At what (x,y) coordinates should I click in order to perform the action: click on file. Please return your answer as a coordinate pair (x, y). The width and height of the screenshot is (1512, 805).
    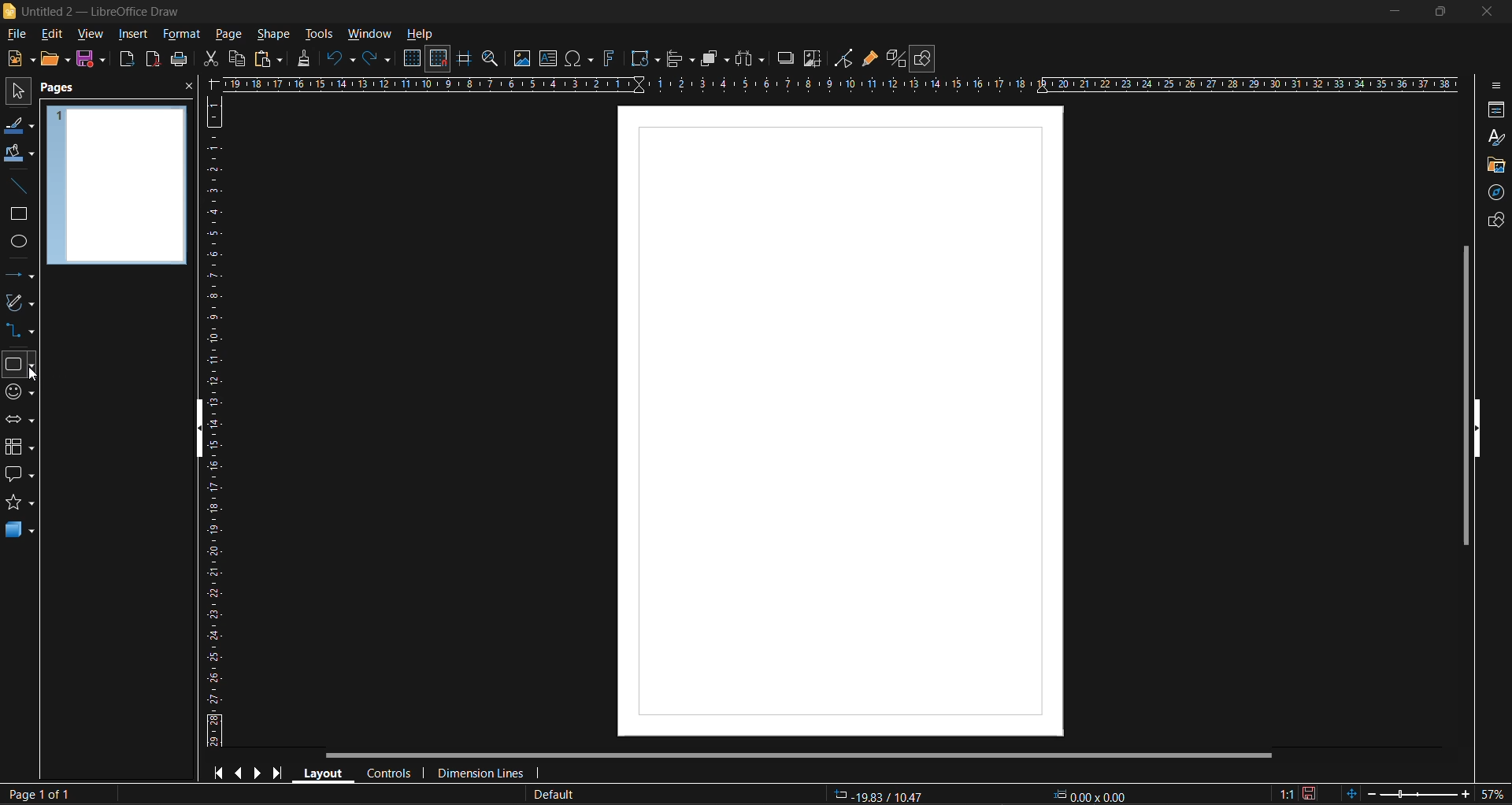
    Looking at the image, I should click on (19, 35).